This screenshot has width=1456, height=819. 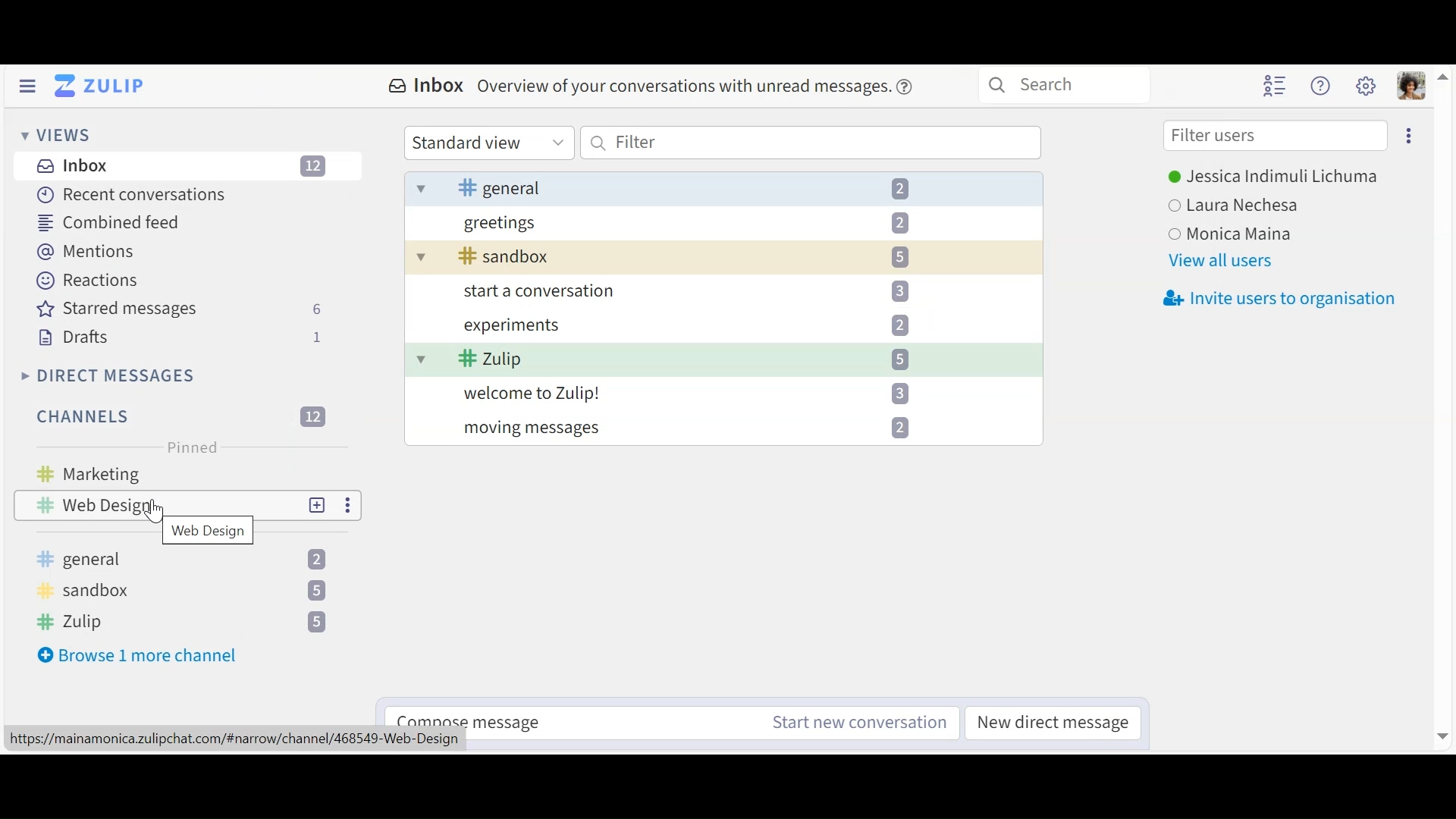 What do you see at coordinates (723, 324) in the screenshot?
I see `experiments` at bounding box center [723, 324].